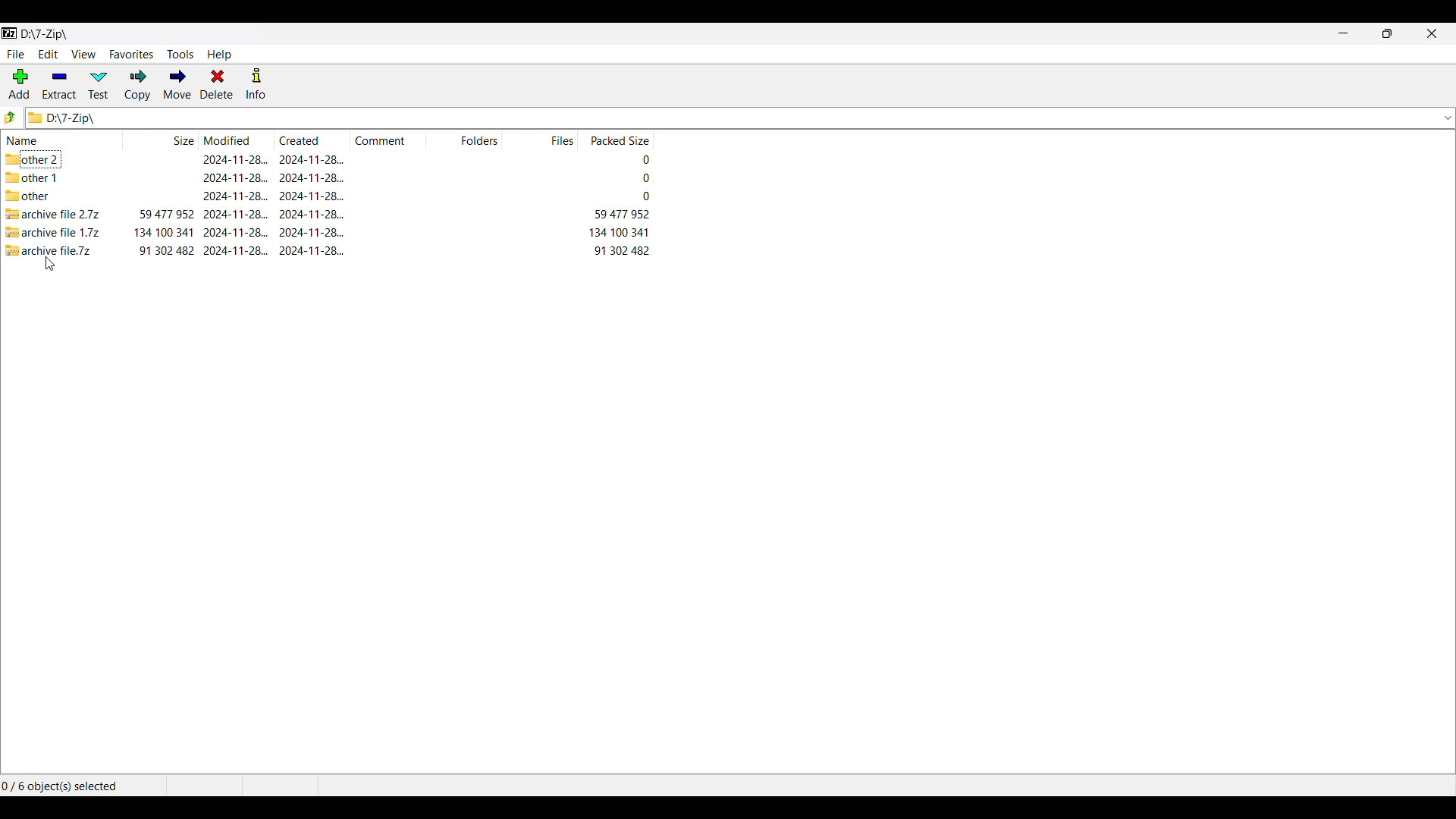 The height and width of the screenshot is (819, 1456). I want to click on dropdown, so click(1443, 118).